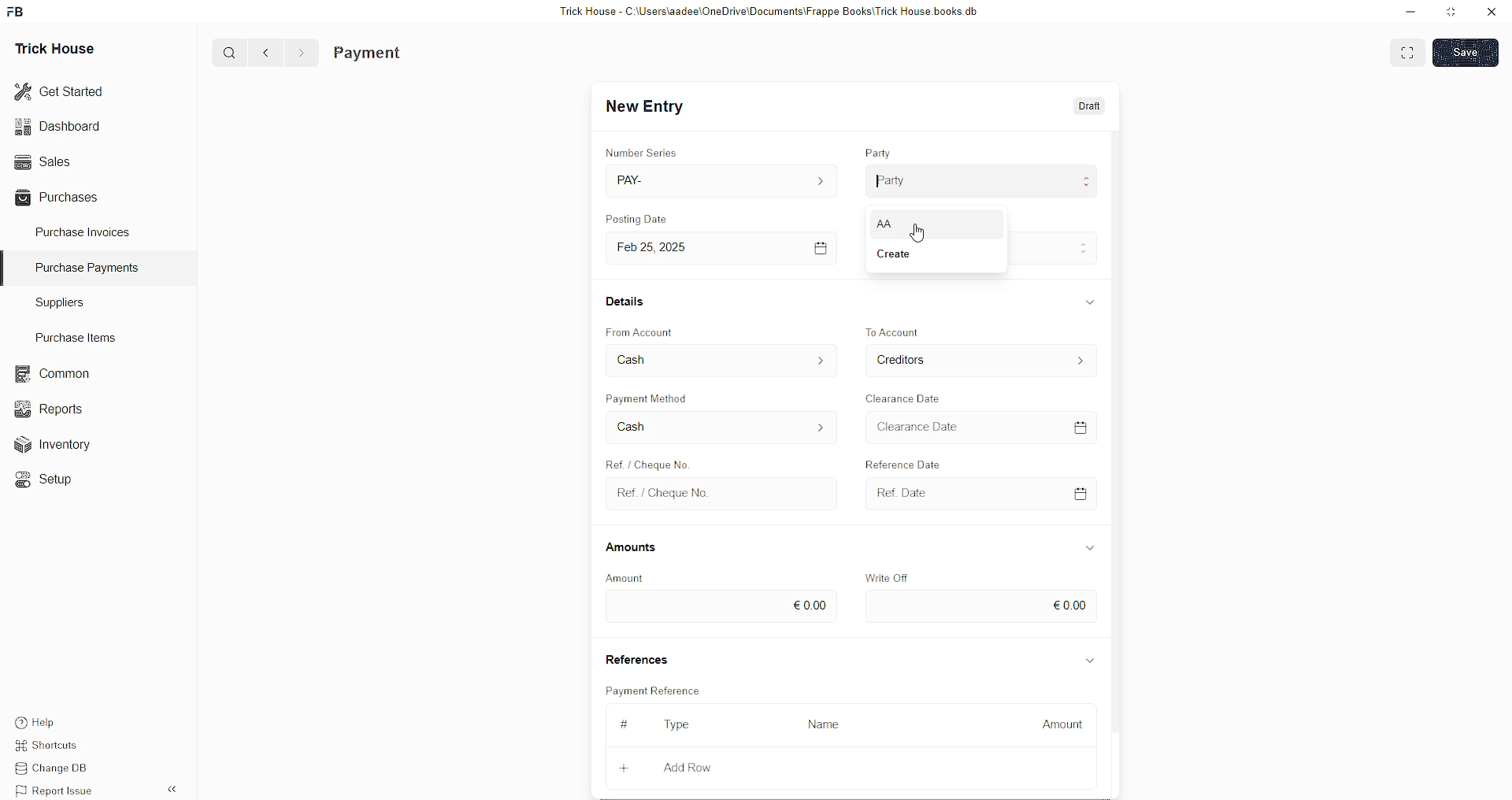 This screenshot has width=1512, height=800. What do you see at coordinates (1080, 492) in the screenshot?
I see `CALENDER` at bounding box center [1080, 492].